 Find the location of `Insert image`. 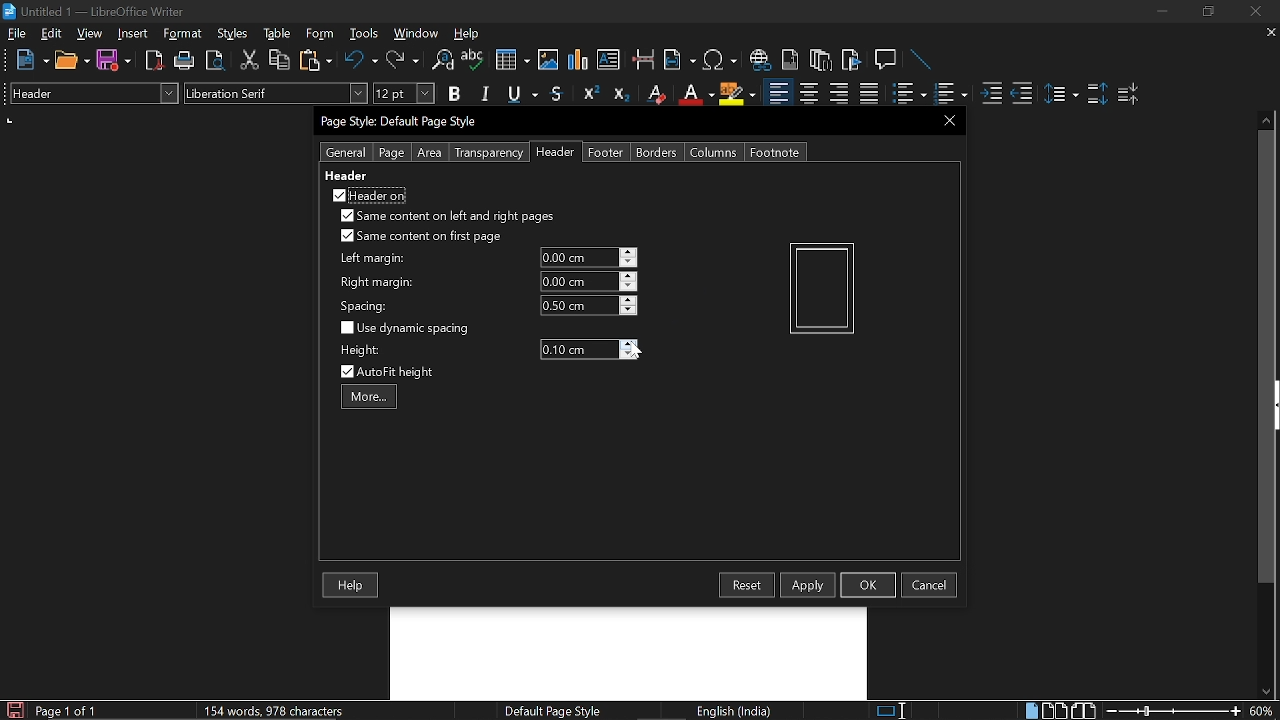

Insert image is located at coordinates (550, 59).